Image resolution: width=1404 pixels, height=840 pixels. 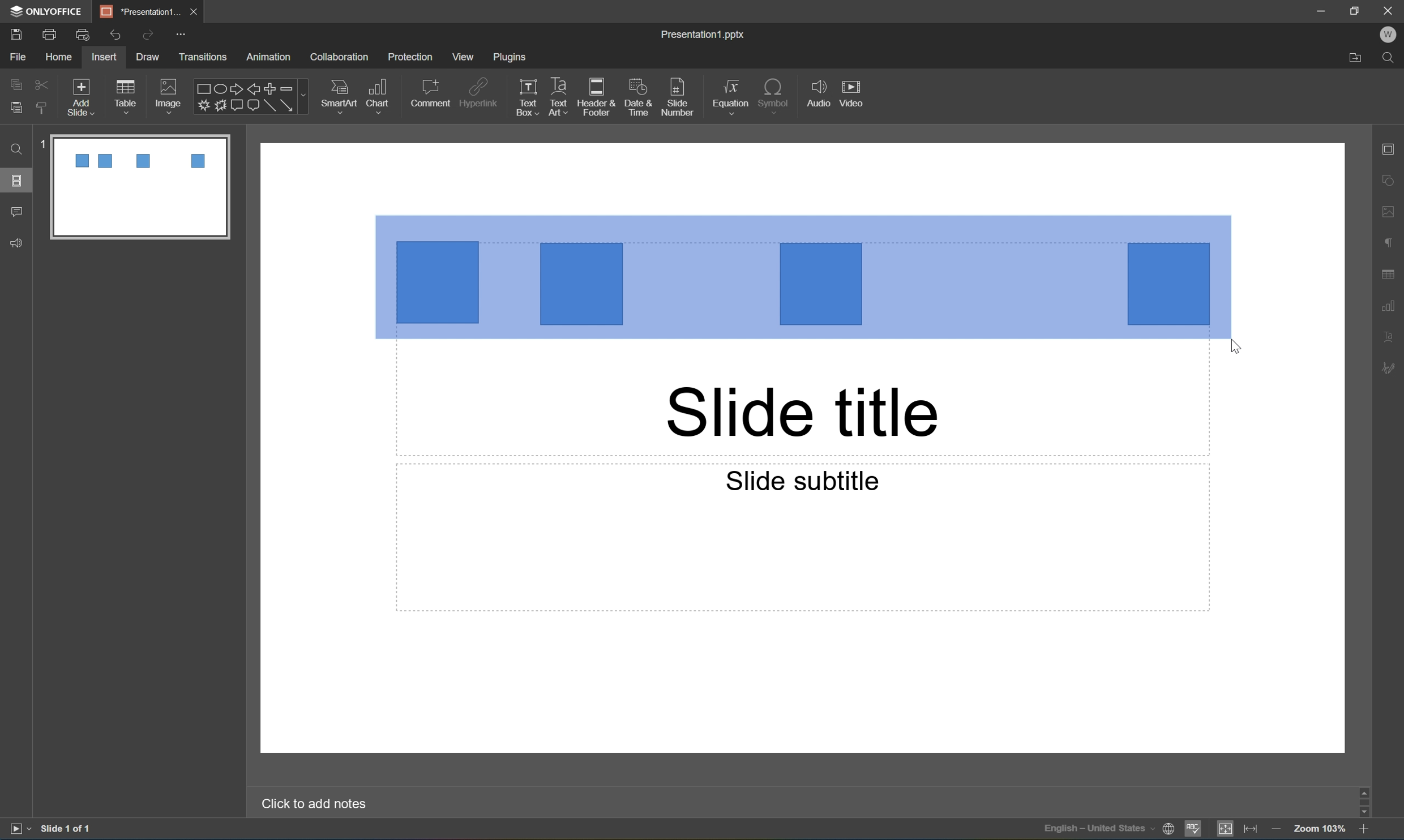 I want to click on Open file location, so click(x=1353, y=59).